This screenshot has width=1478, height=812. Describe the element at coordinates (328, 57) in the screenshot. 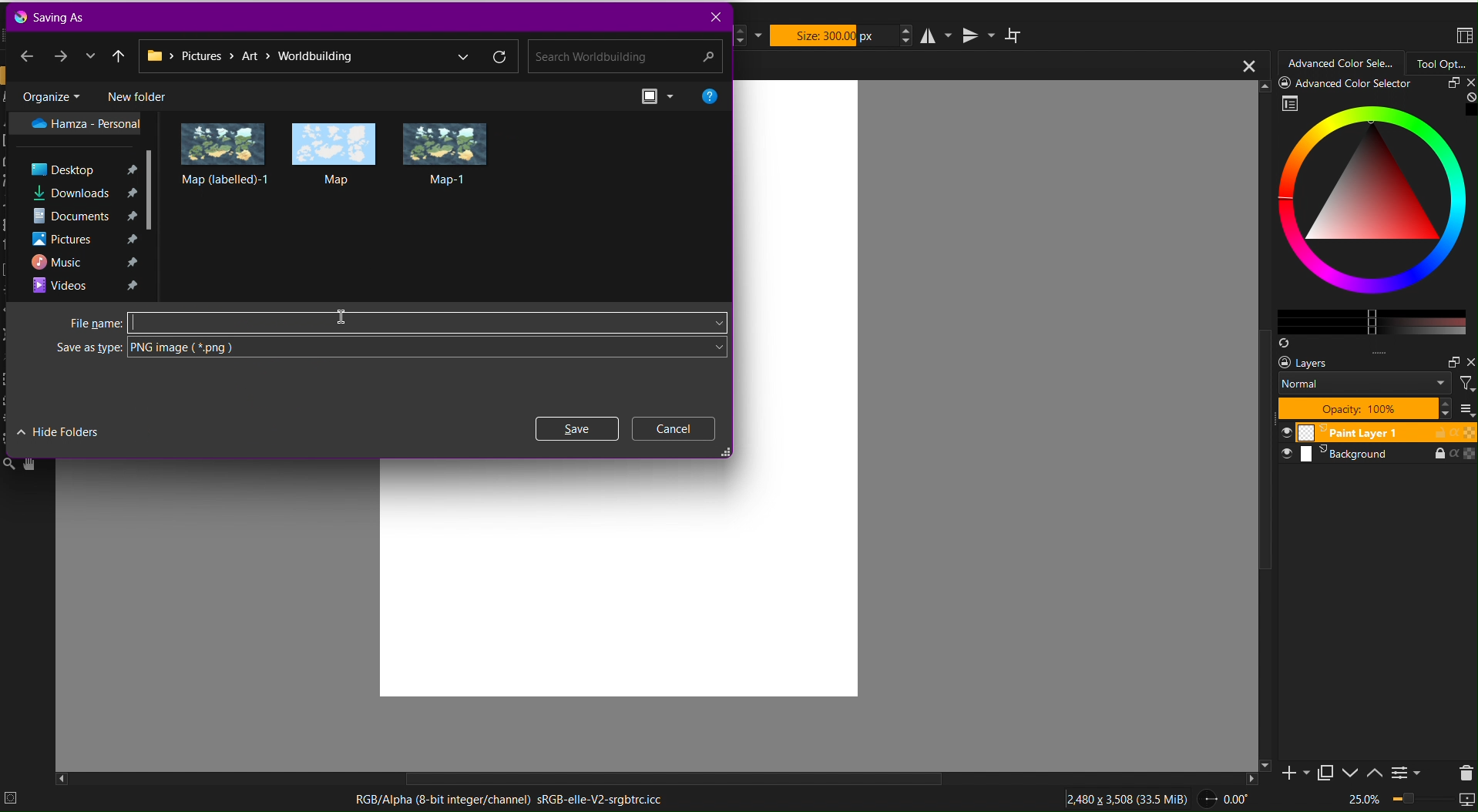

I see `Address Bar` at that location.